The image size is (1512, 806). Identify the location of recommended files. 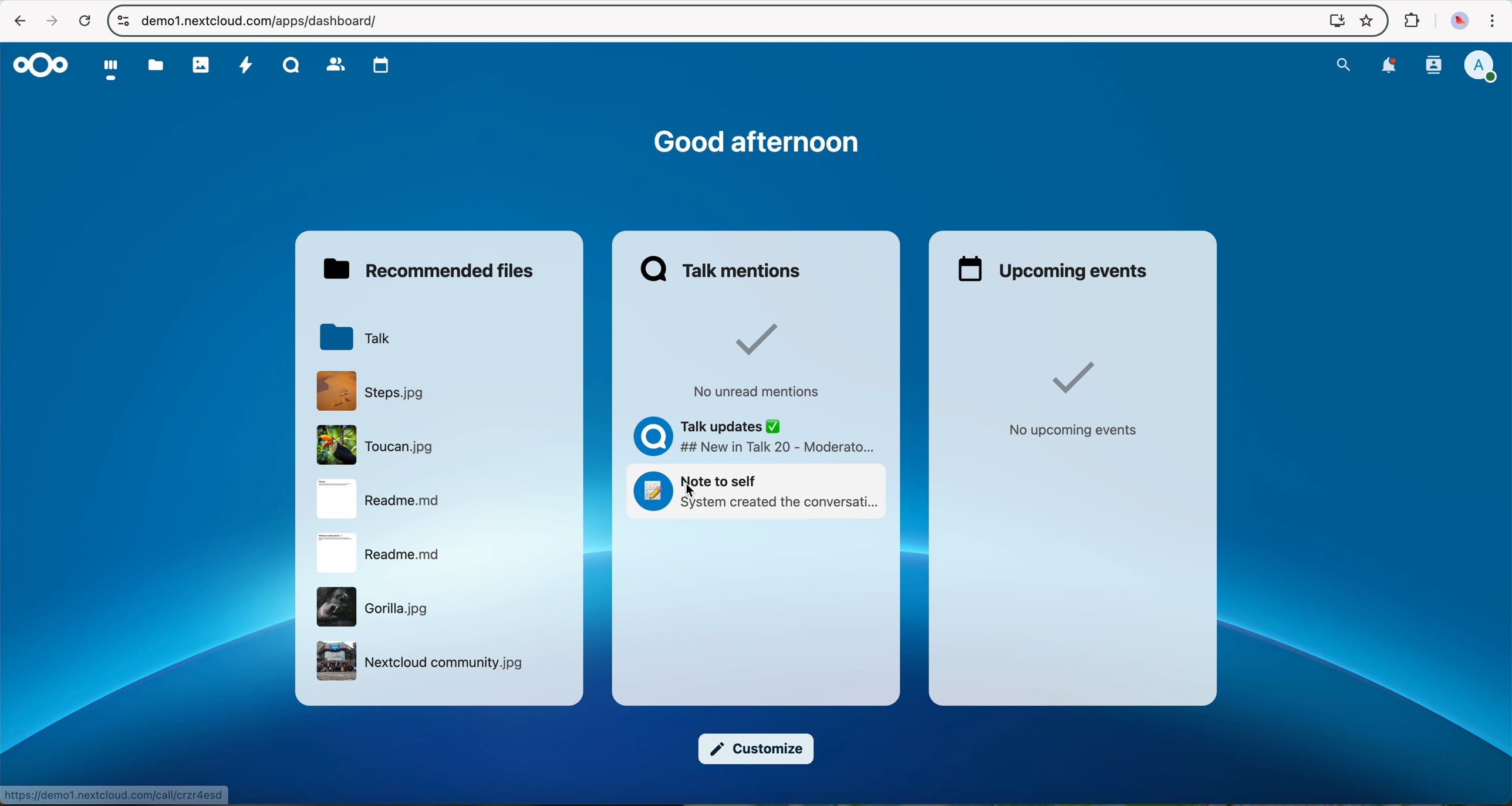
(427, 269).